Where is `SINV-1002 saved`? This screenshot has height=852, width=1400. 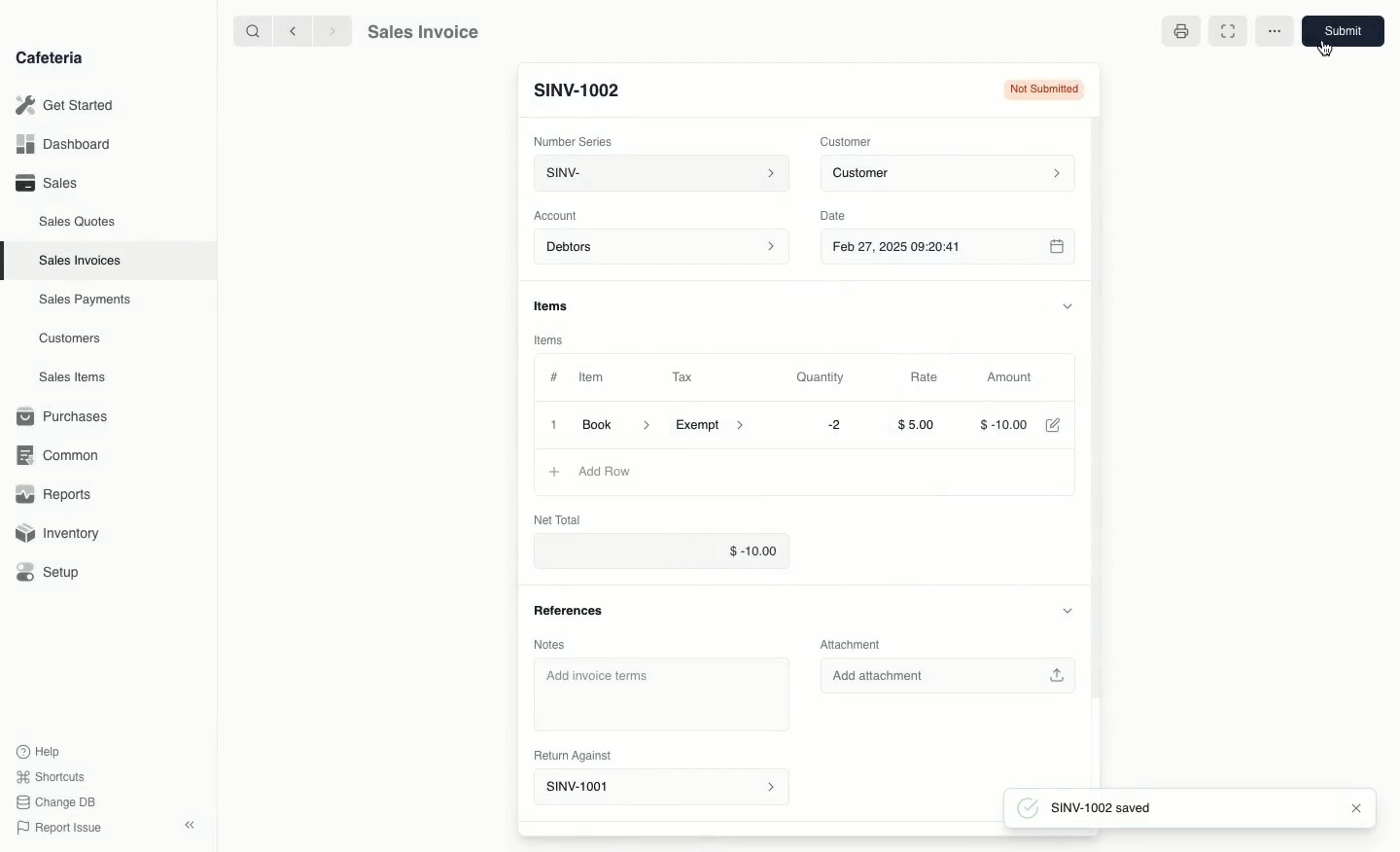 SINV-1002 saved is located at coordinates (1110, 808).